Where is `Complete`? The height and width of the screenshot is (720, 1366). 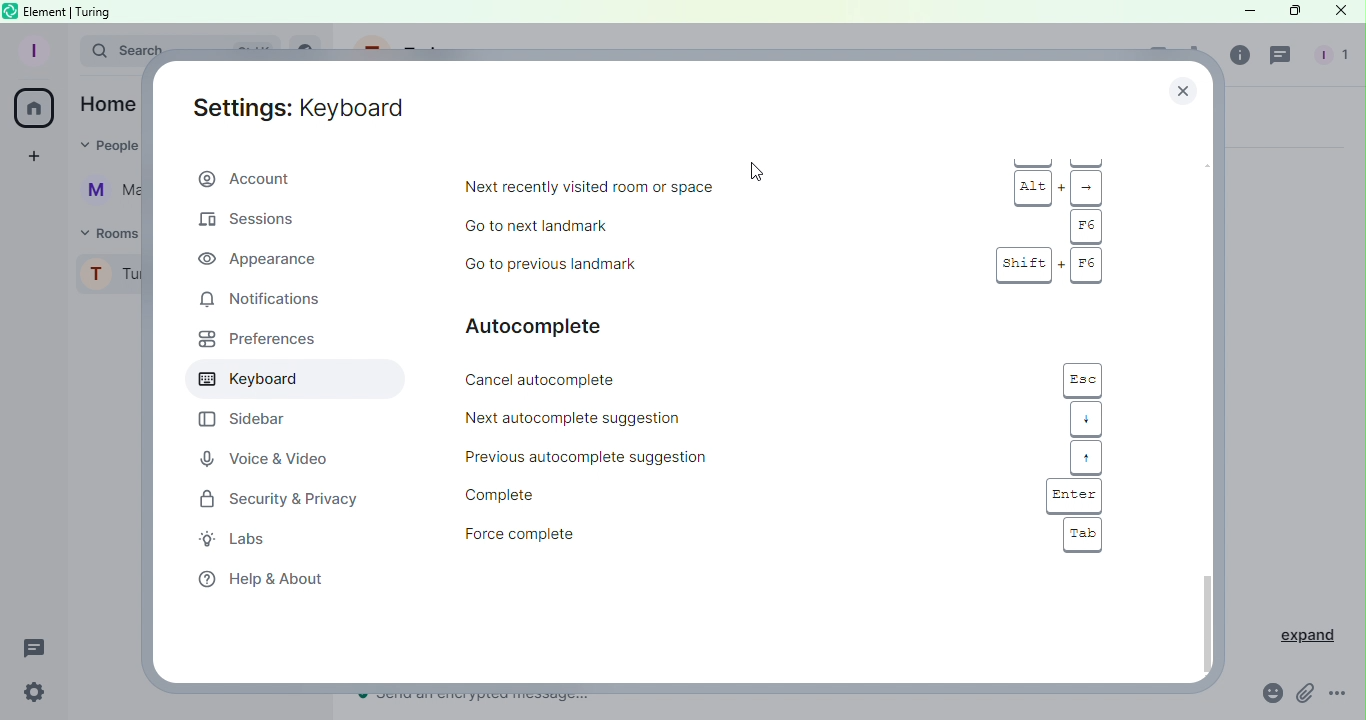
Complete is located at coordinates (655, 493).